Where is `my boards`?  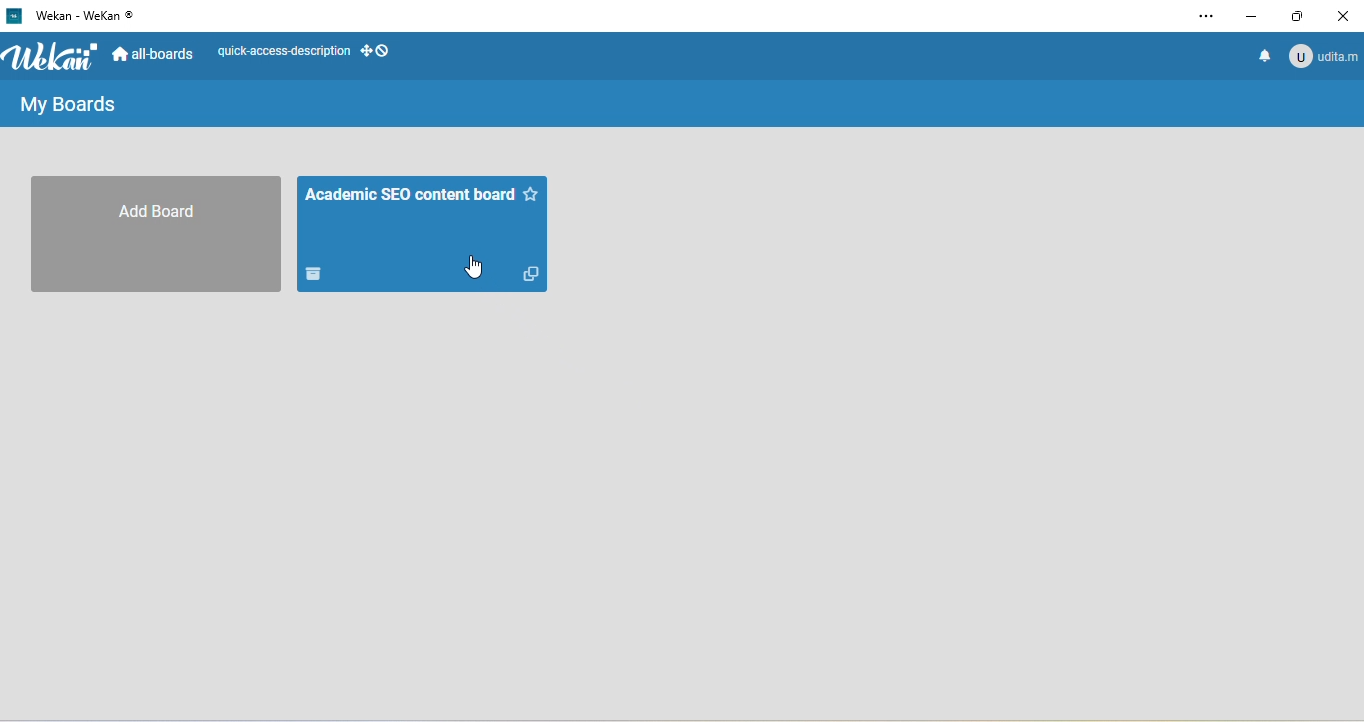
my boards is located at coordinates (80, 107).